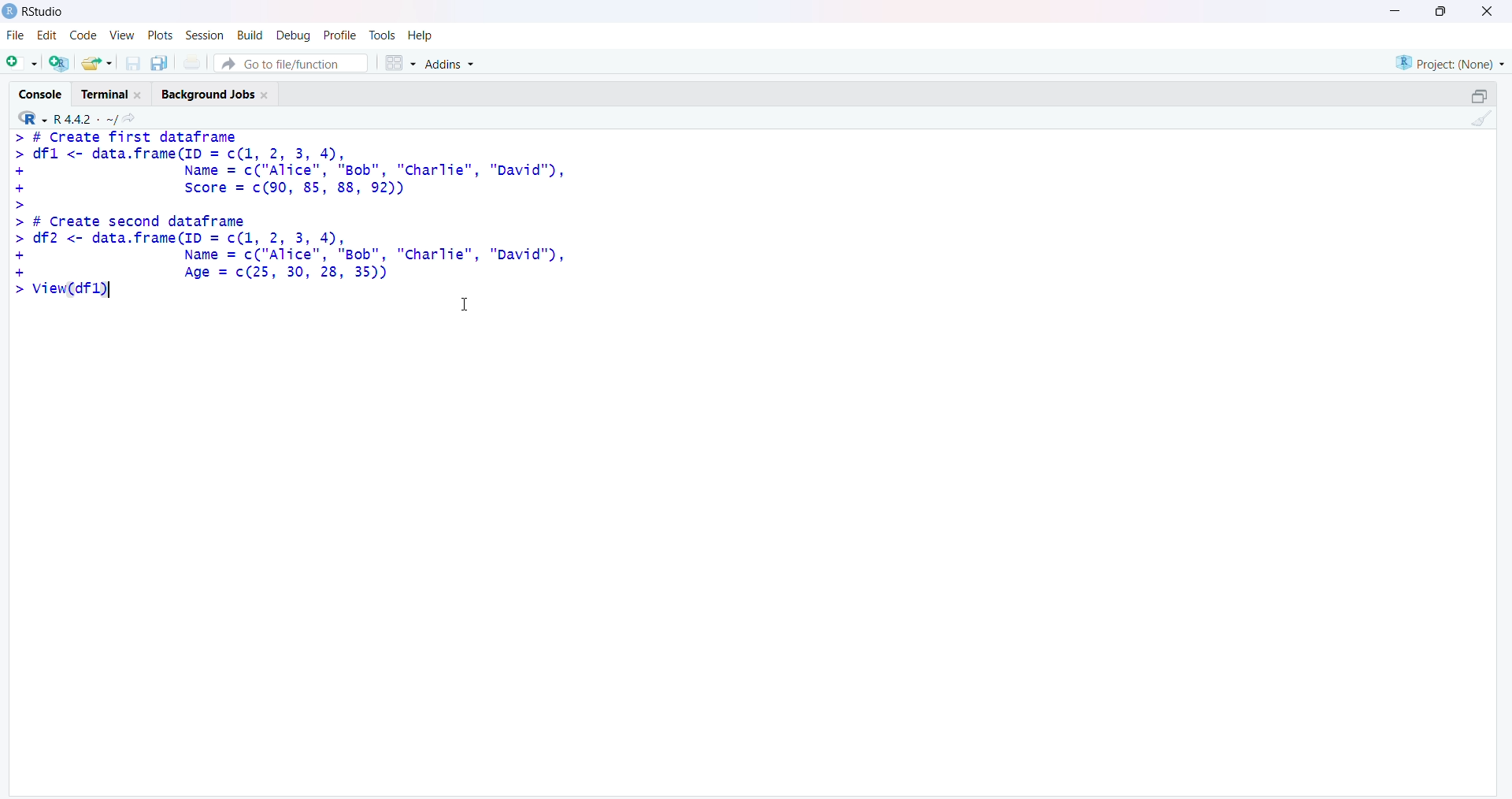 The height and width of the screenshot is (799, 1512). What do you see at coordinates (401, 63) in the screenshot?
I see `grid` at bounding box center [401, 63].